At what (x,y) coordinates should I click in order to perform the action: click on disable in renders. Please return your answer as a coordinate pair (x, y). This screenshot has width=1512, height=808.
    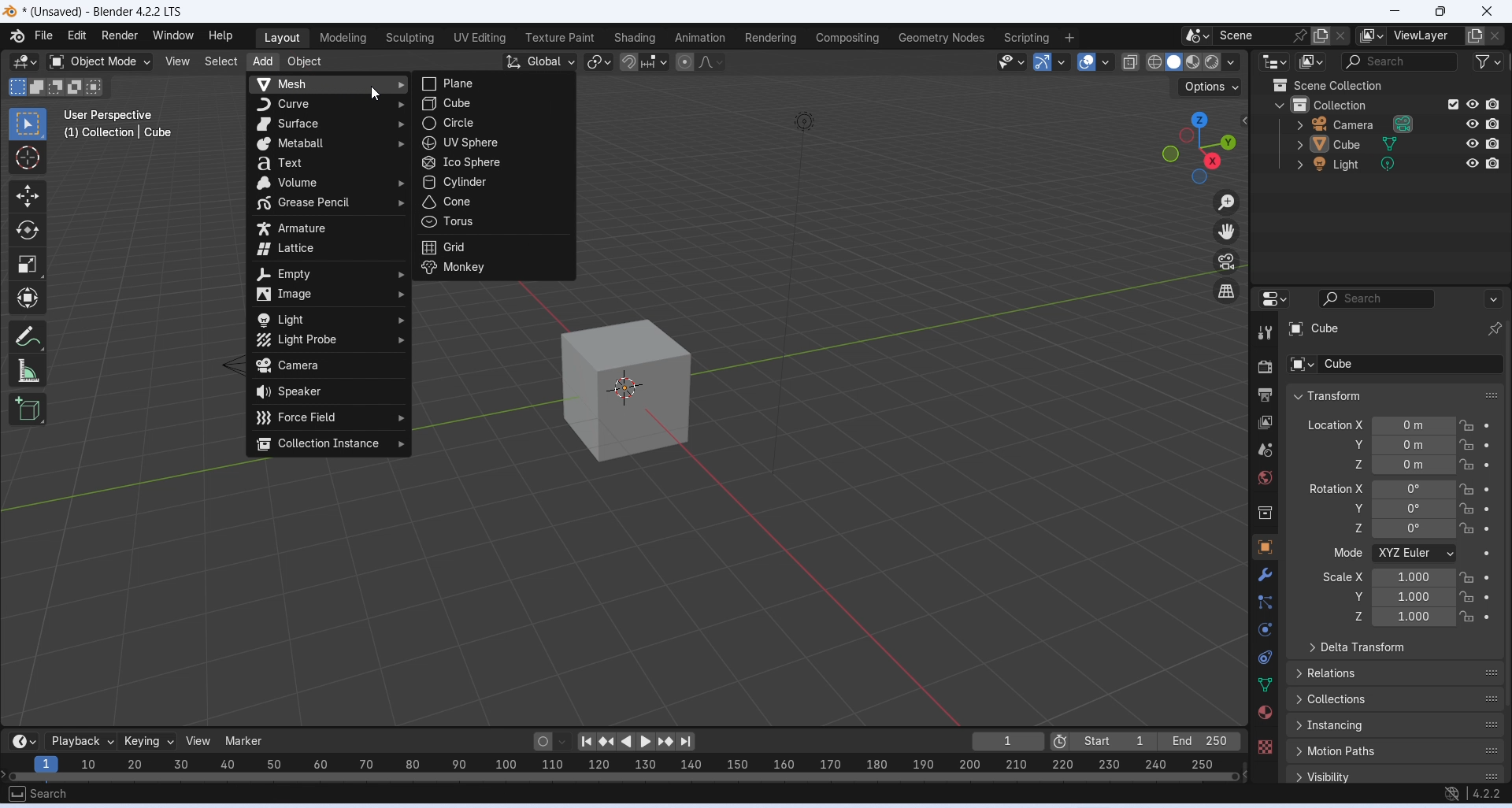
    Looking at the image, I should click on (1492, 124).